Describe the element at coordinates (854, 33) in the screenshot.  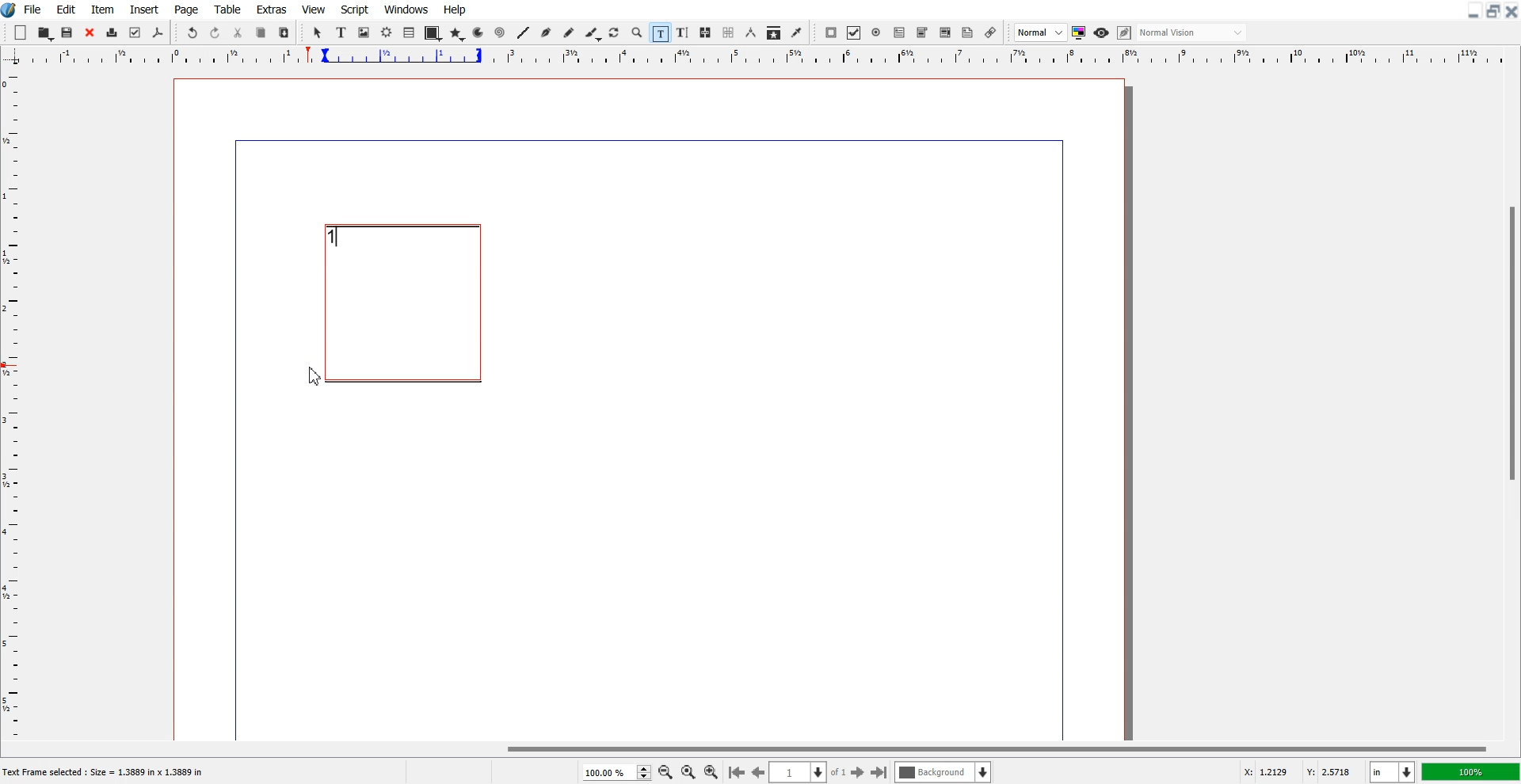
I see `PDF Check Box` at that location.